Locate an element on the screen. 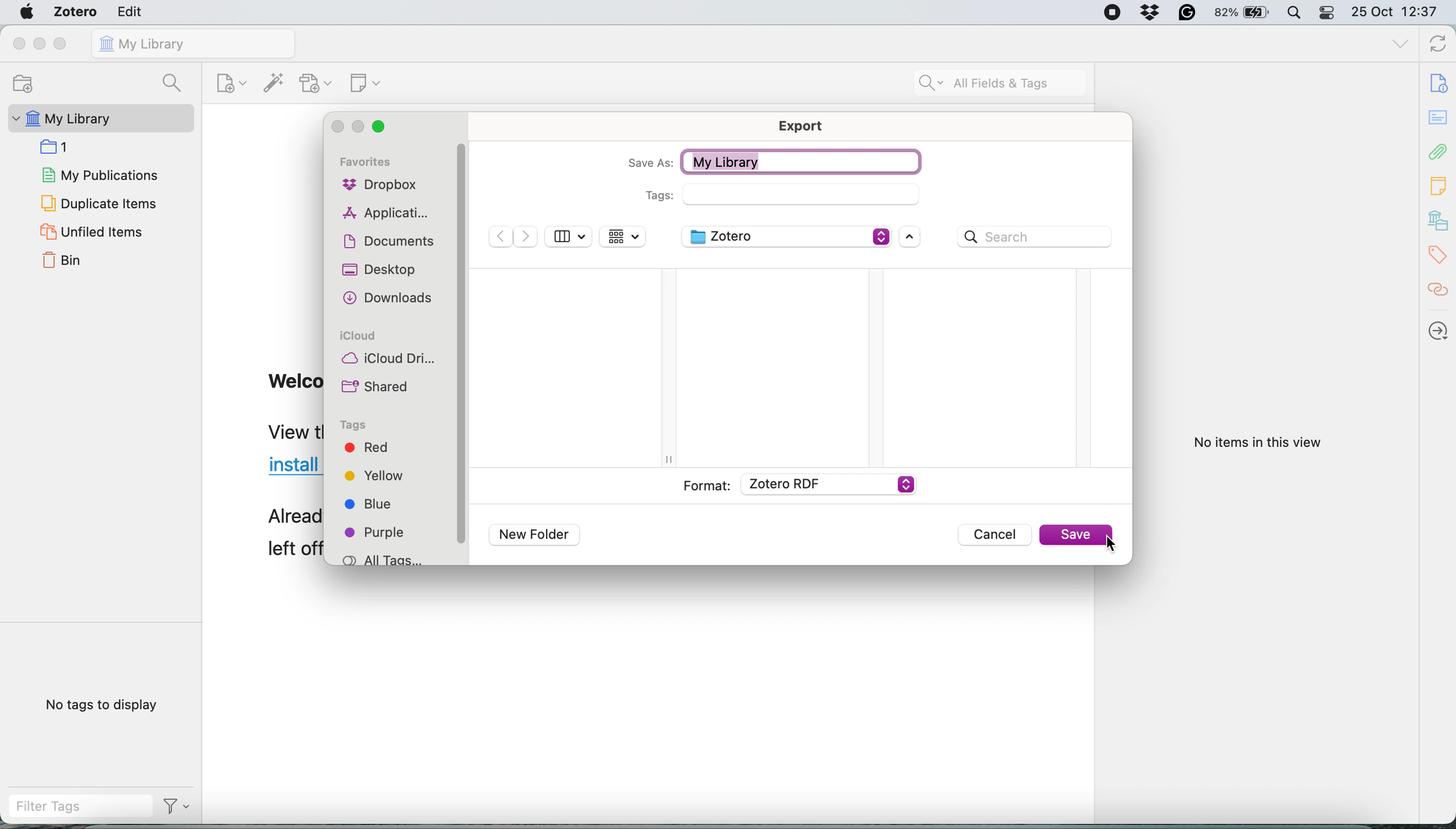 The image size is (1456, 829). Screen Recorder is located at coordinates (1110, 12).